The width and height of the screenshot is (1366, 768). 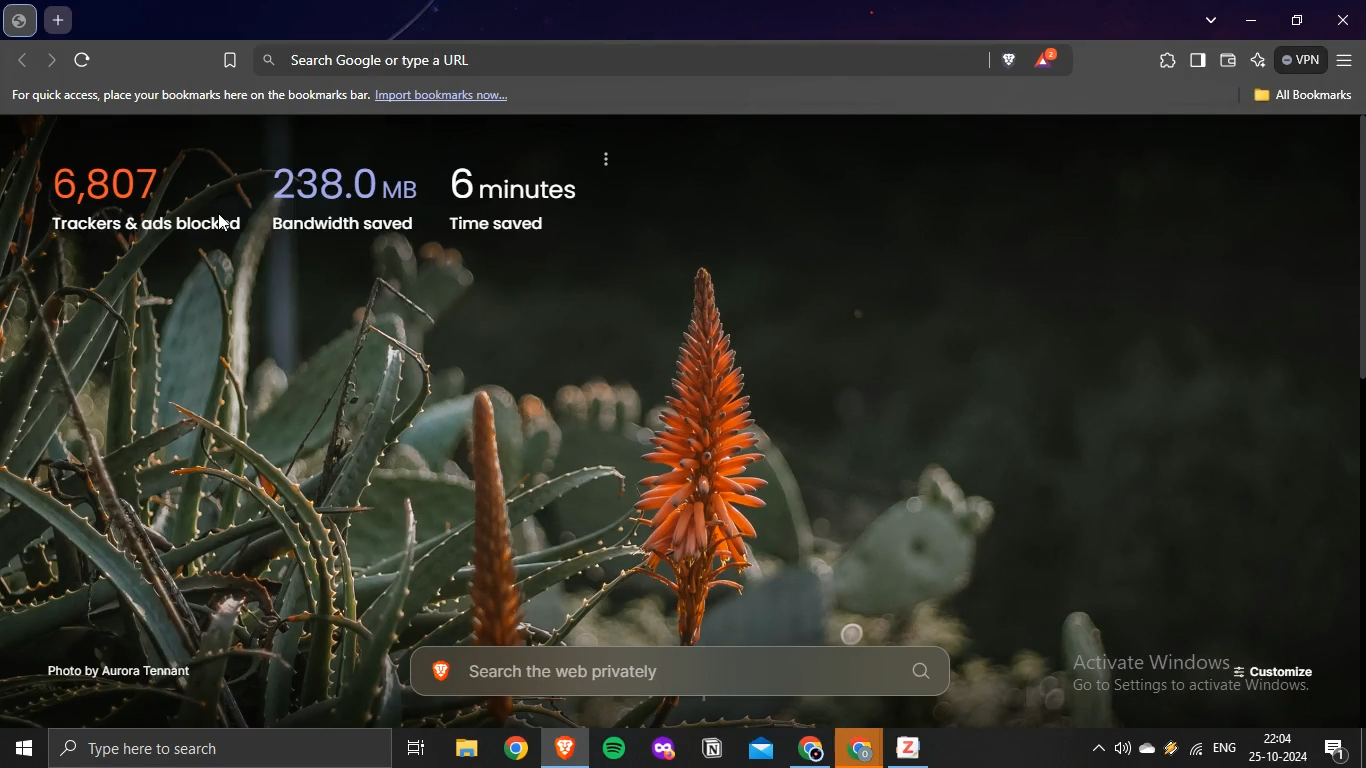 What do you see at coordinates (301, 94) in the screenshot?
I see `import bookmarks` at bounding box center [301, 94].